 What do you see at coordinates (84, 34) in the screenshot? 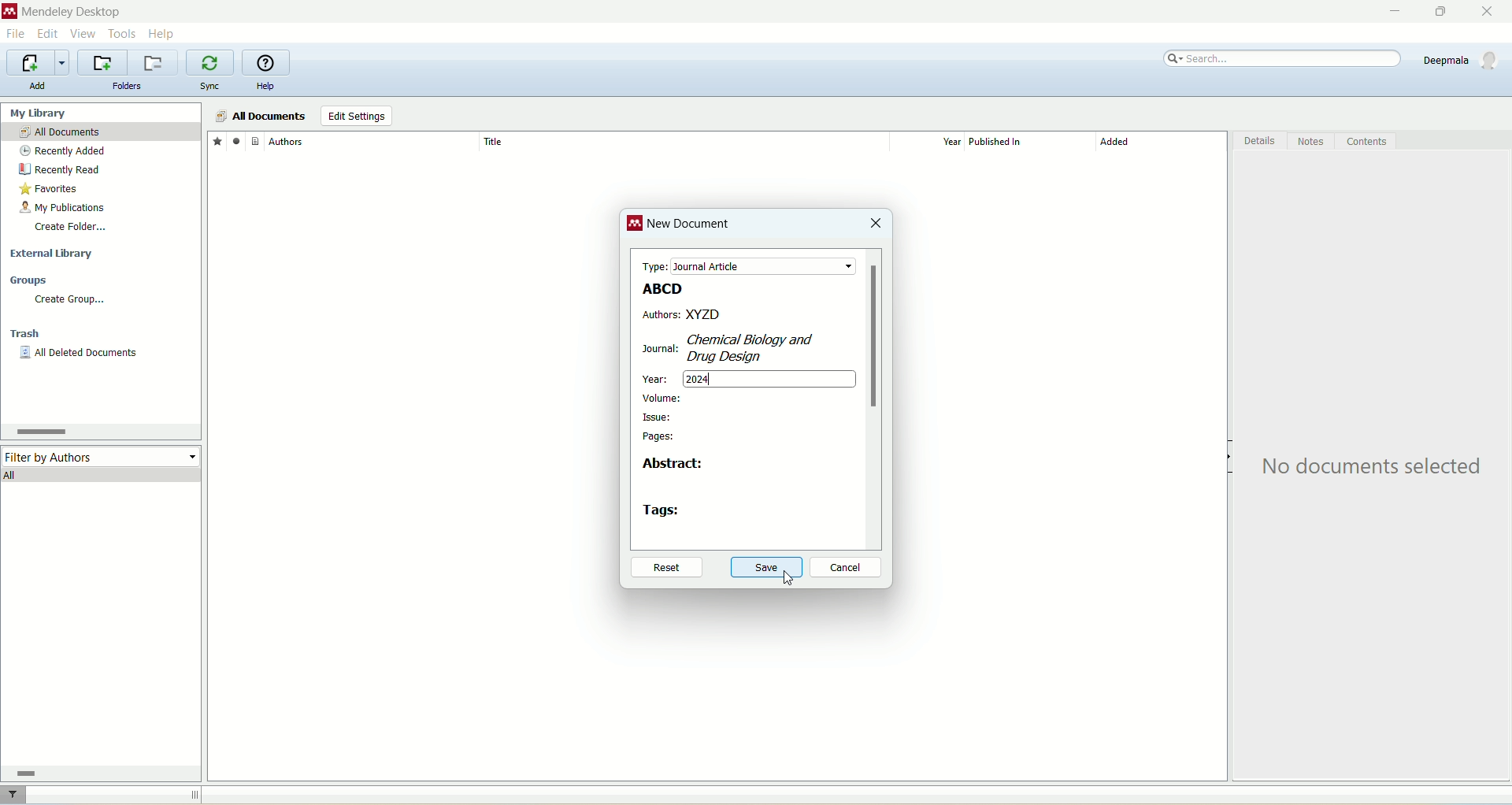
I see `view` at bounding box center [84, 34].